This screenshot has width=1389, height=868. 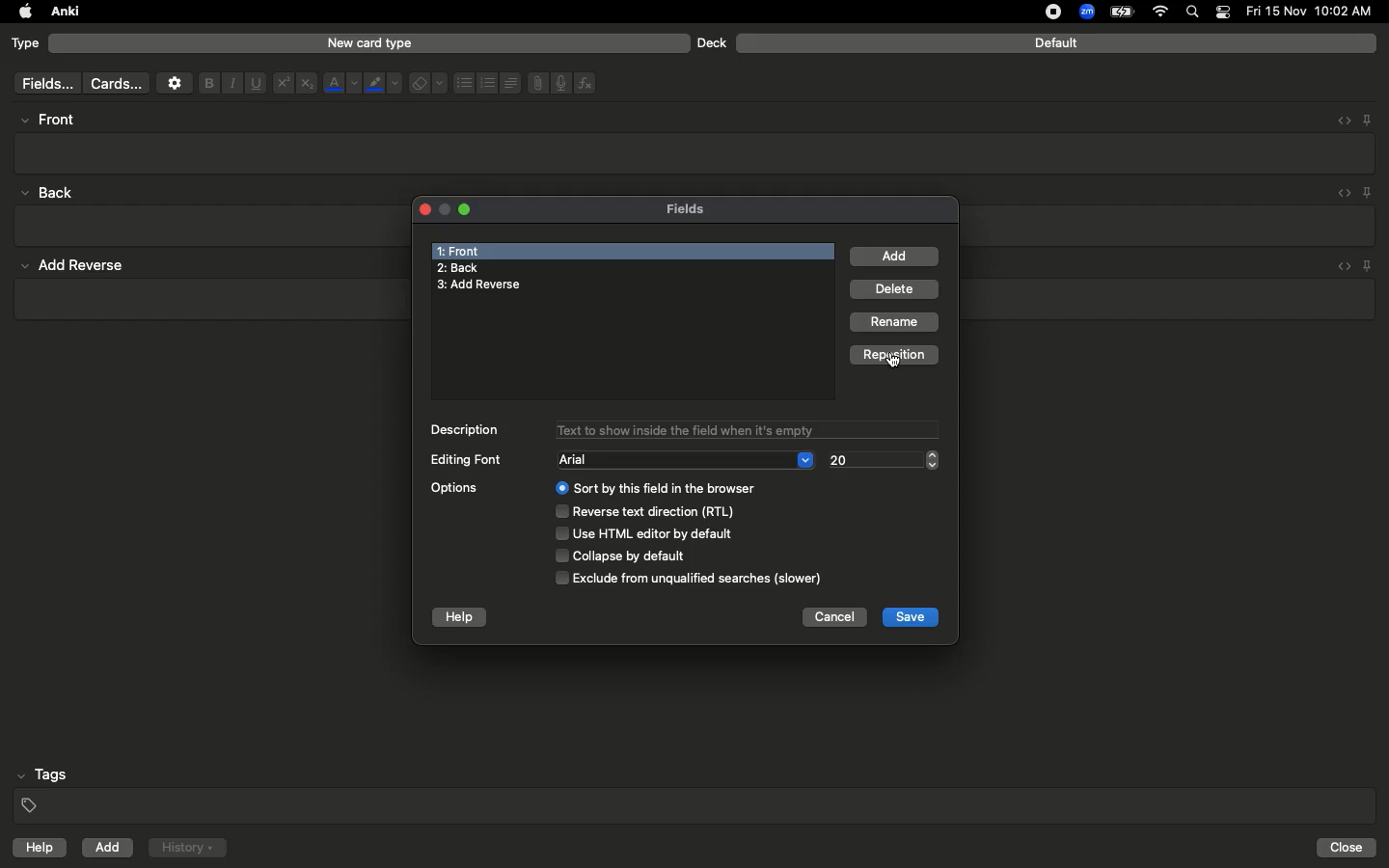 What do you see at coordinates (1195, 13) in the screenshot?
I see `Search` at bounding box center [1195, 13].